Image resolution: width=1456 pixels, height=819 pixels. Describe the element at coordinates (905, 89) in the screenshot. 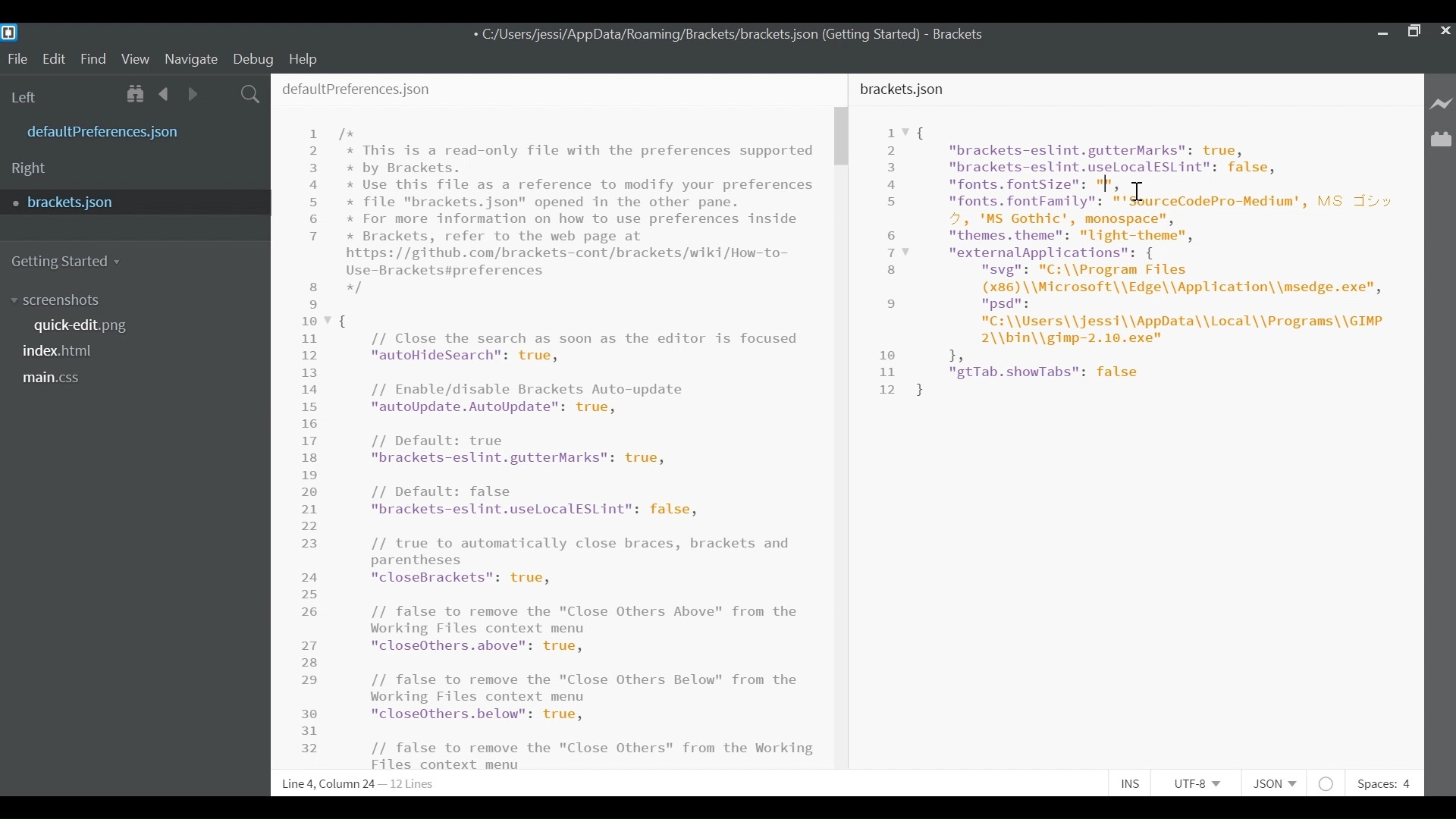

I see `bracket.json` at that location.